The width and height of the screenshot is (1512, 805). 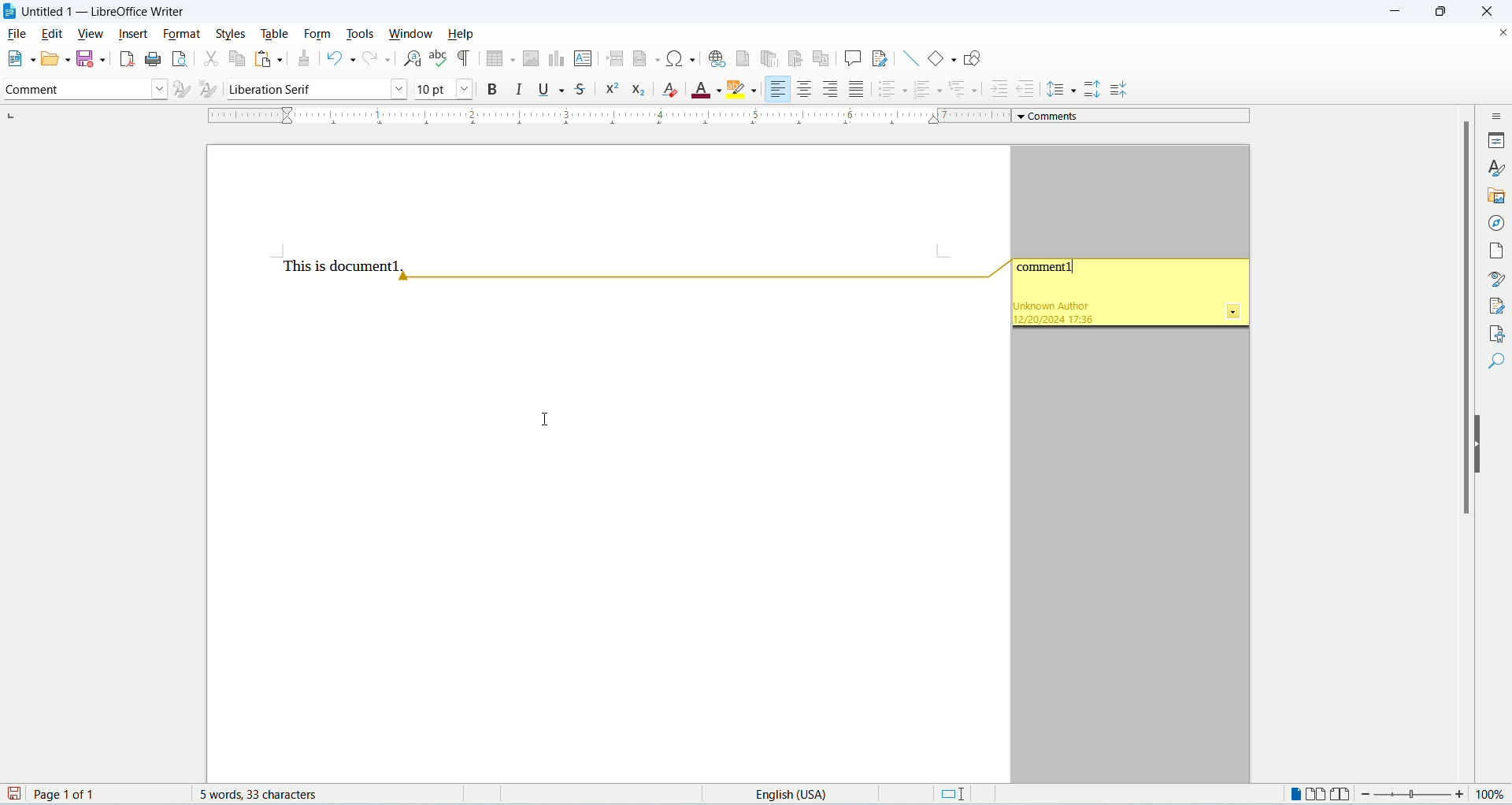 I want to click on align left, so click(x=776, y=89).